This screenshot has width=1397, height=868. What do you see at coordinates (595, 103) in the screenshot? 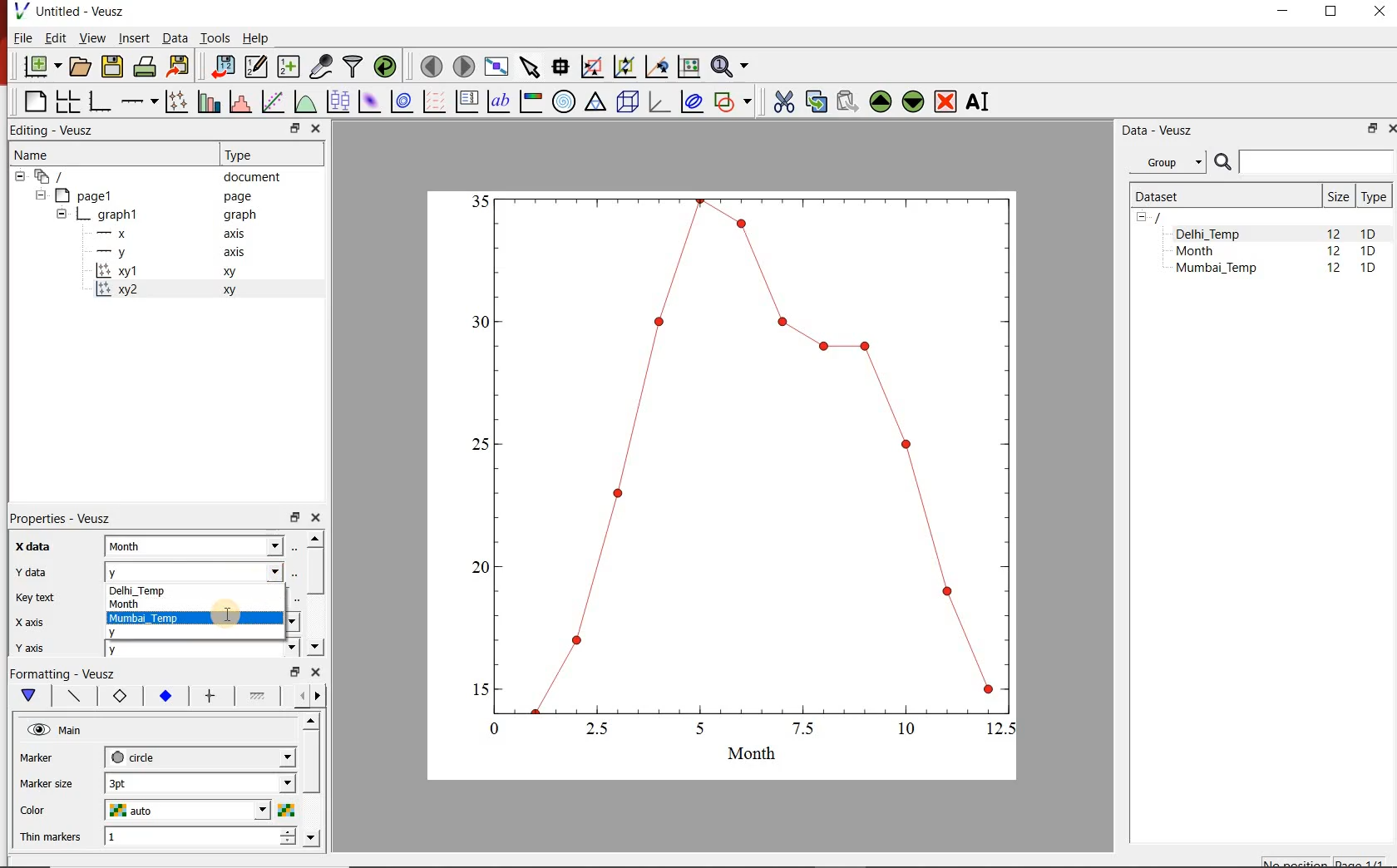
I see `Ternary graph` at bounding box center [595, 103].